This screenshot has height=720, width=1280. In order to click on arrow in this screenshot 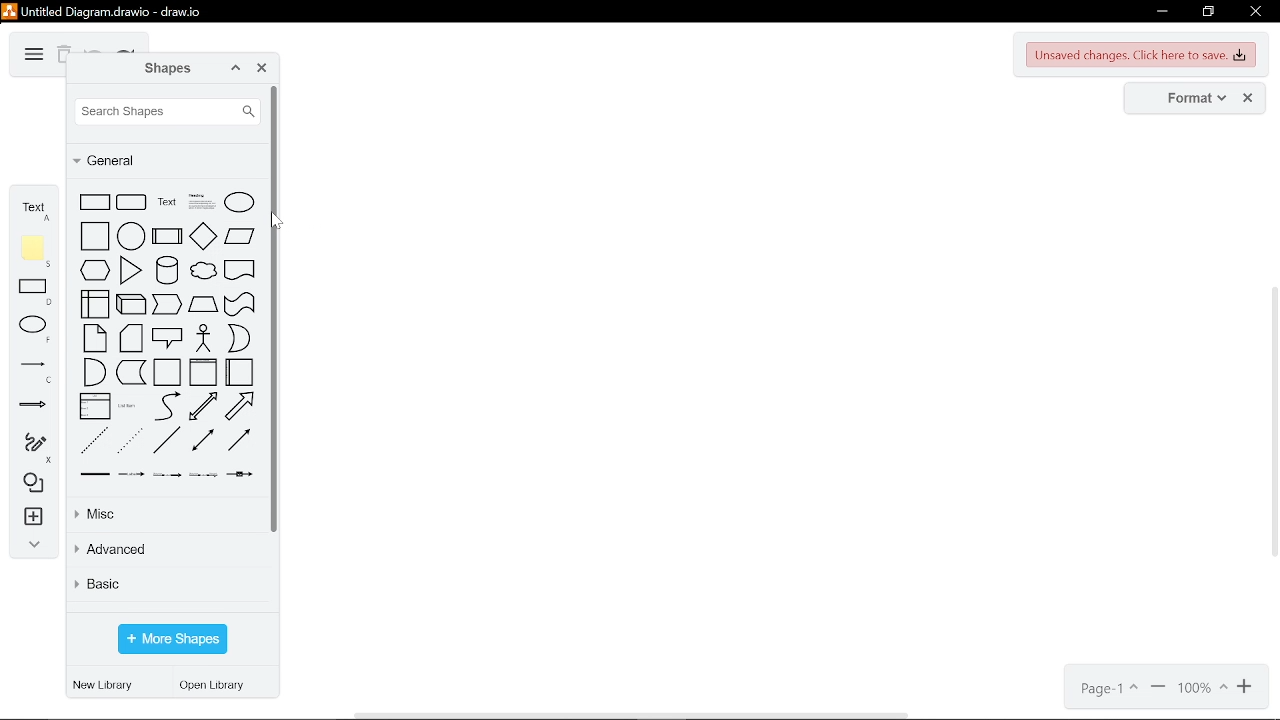, I will do `click(239, 406)`.